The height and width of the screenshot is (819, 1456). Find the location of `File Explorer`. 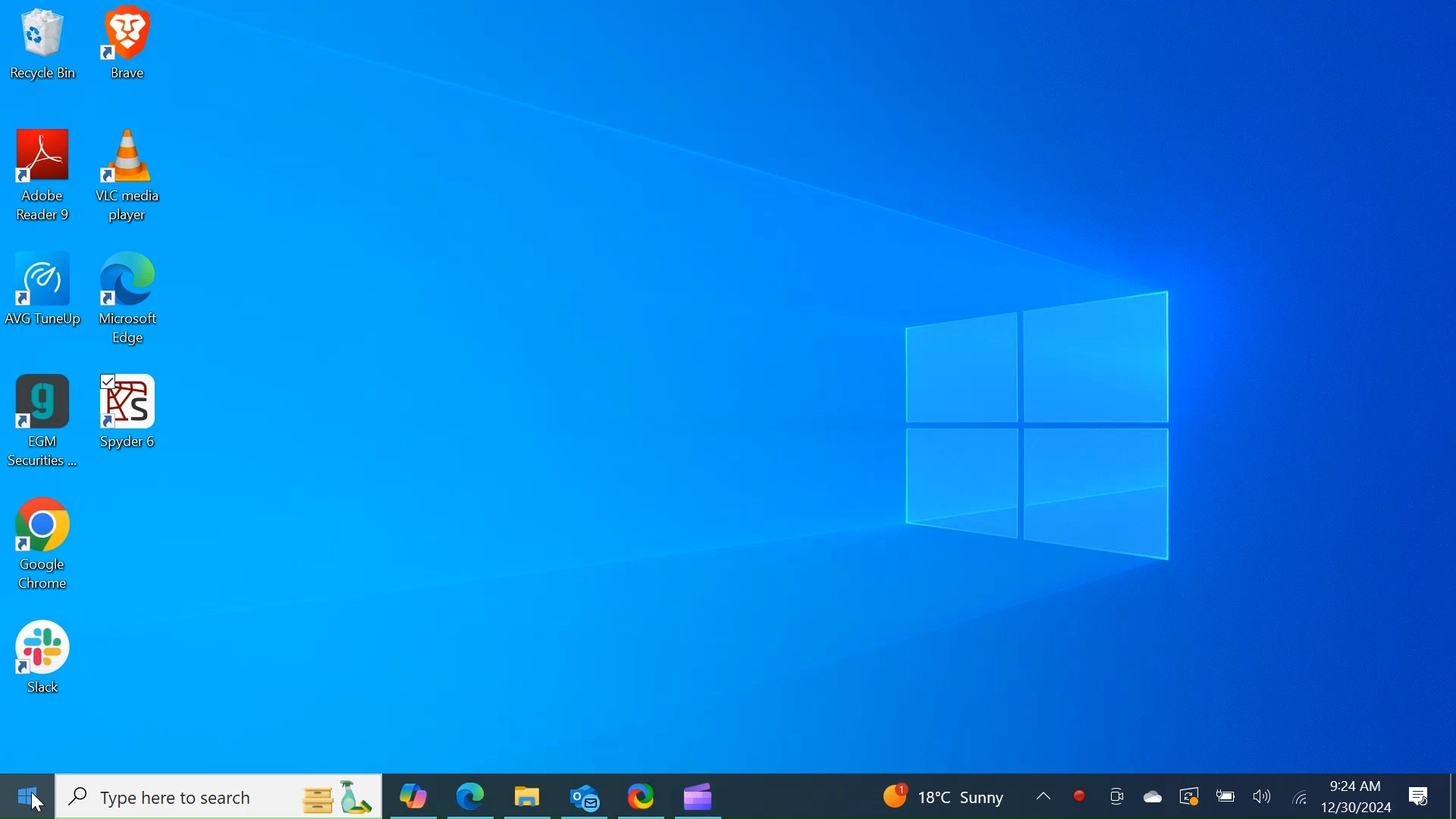

File Explorer is located at coordinates (527, 795).